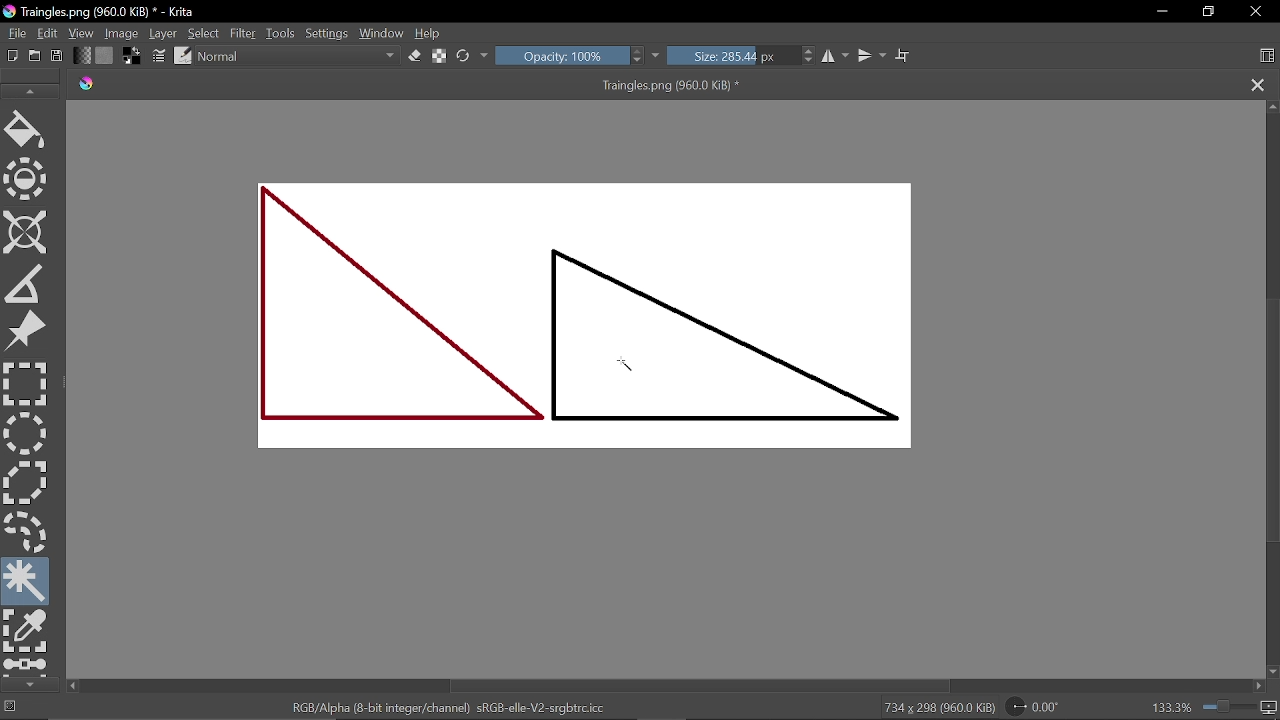  I want to click on Current Image, so click(594, 321).